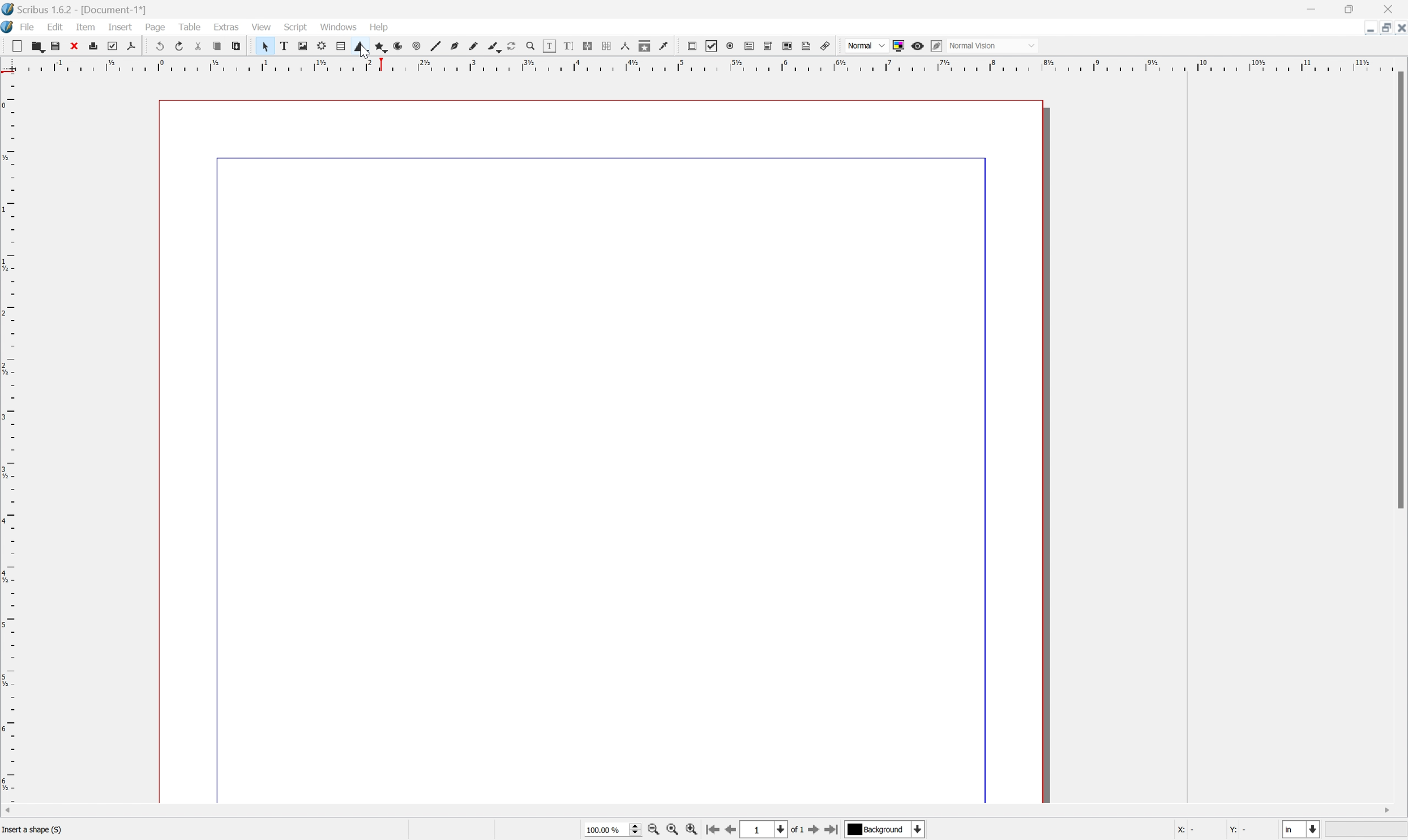 The image size is (1408, 840). What do you see at coordinates (728, 832) in the screenshot?
I see `Go to previous page` at bounding box center [728, 832].